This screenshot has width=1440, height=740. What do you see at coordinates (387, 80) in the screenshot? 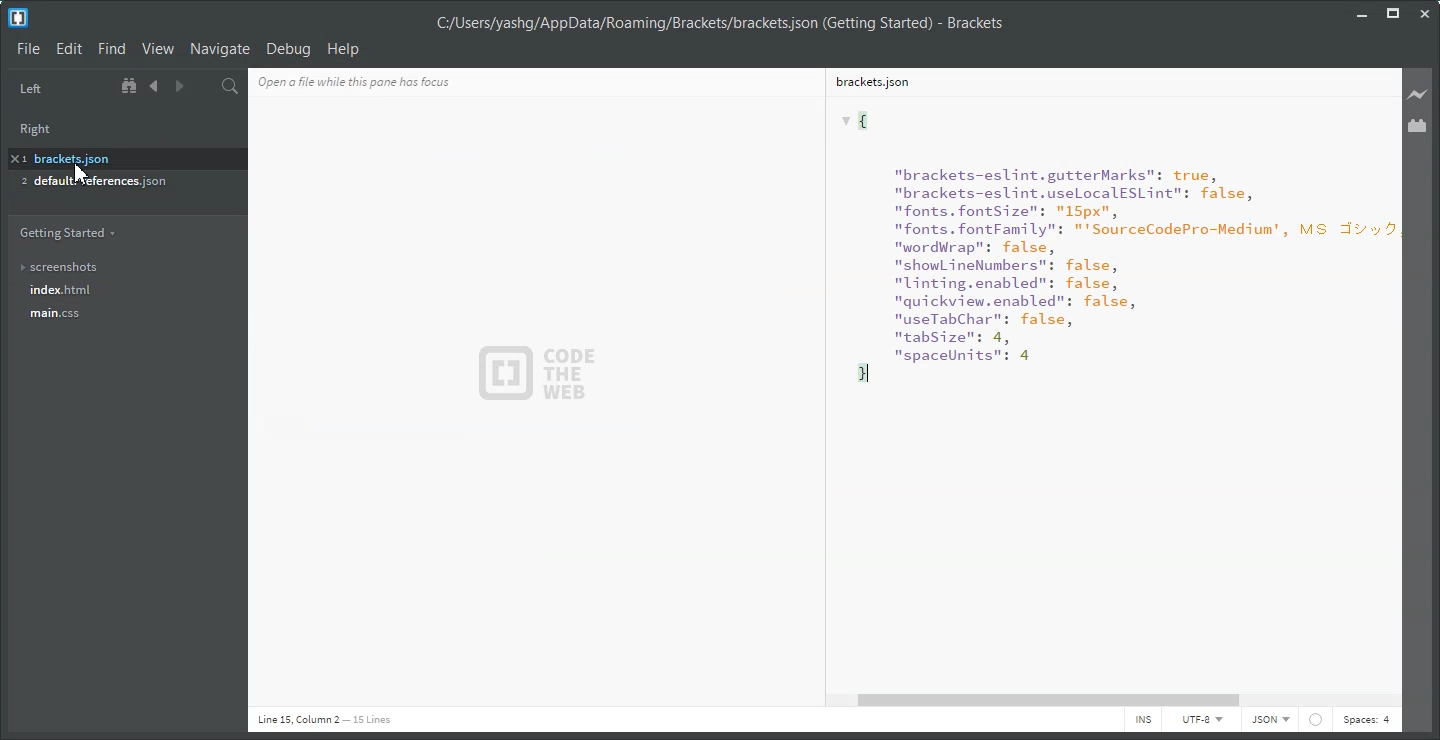
I see `Text` at bounding box center [387, 80].